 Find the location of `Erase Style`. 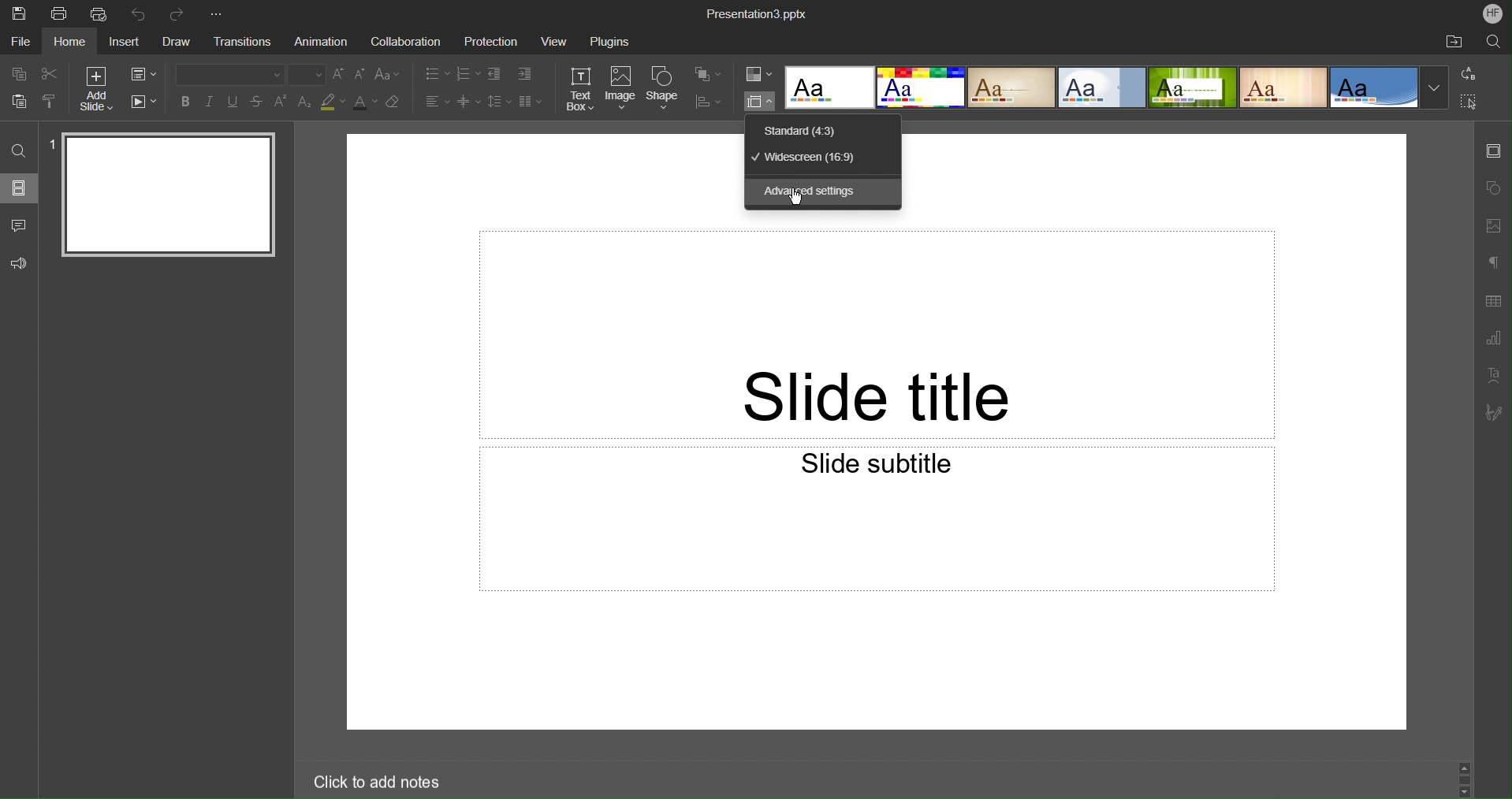

Erase Style is located at coordinates (395, 104).